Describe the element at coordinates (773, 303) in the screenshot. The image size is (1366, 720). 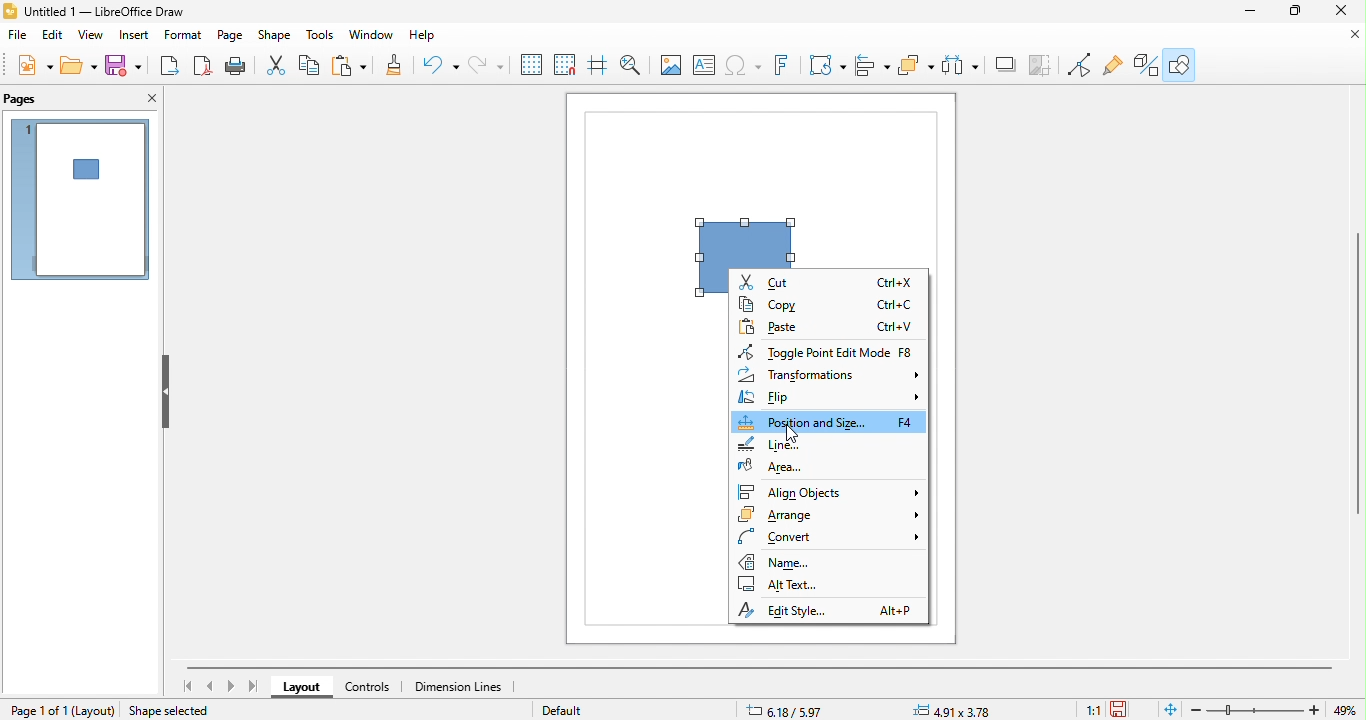
I see `copy` at that location.